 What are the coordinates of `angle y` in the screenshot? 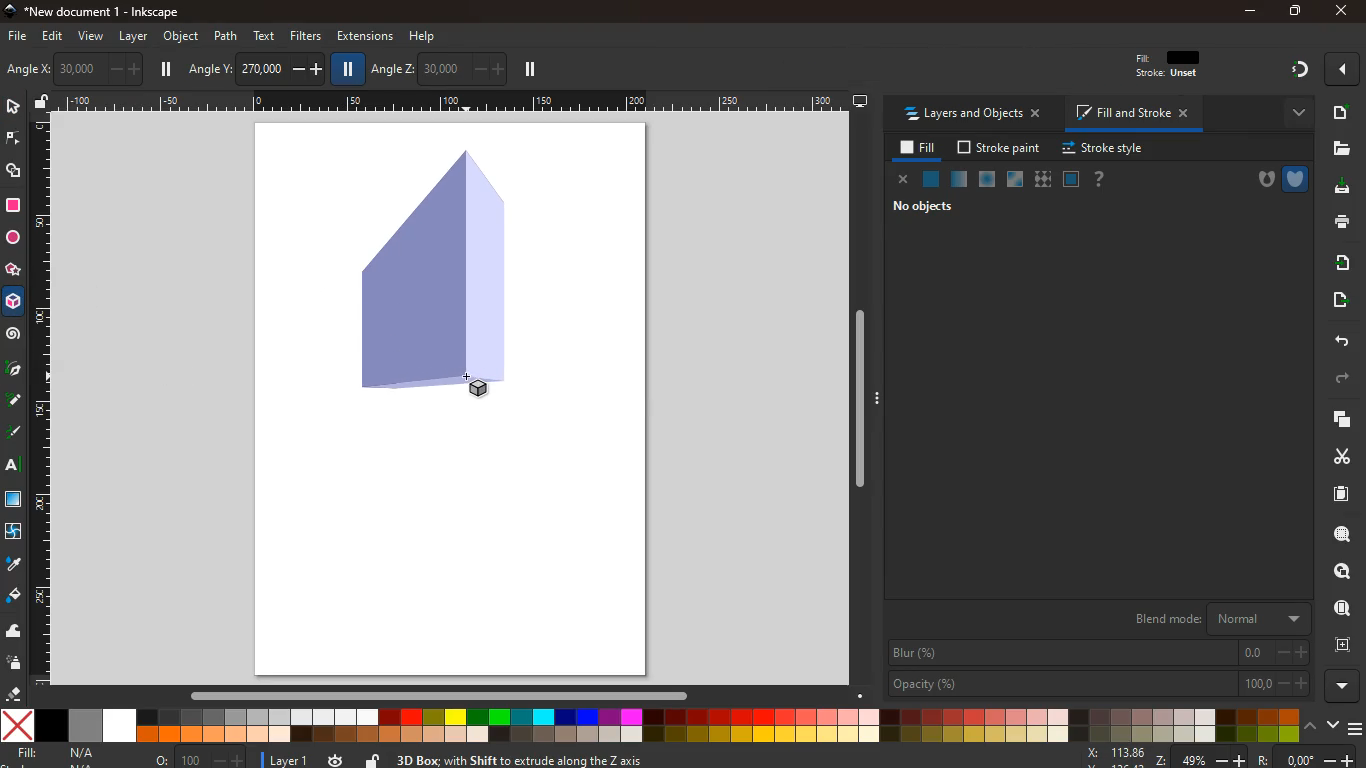 It's located at (255, 67).